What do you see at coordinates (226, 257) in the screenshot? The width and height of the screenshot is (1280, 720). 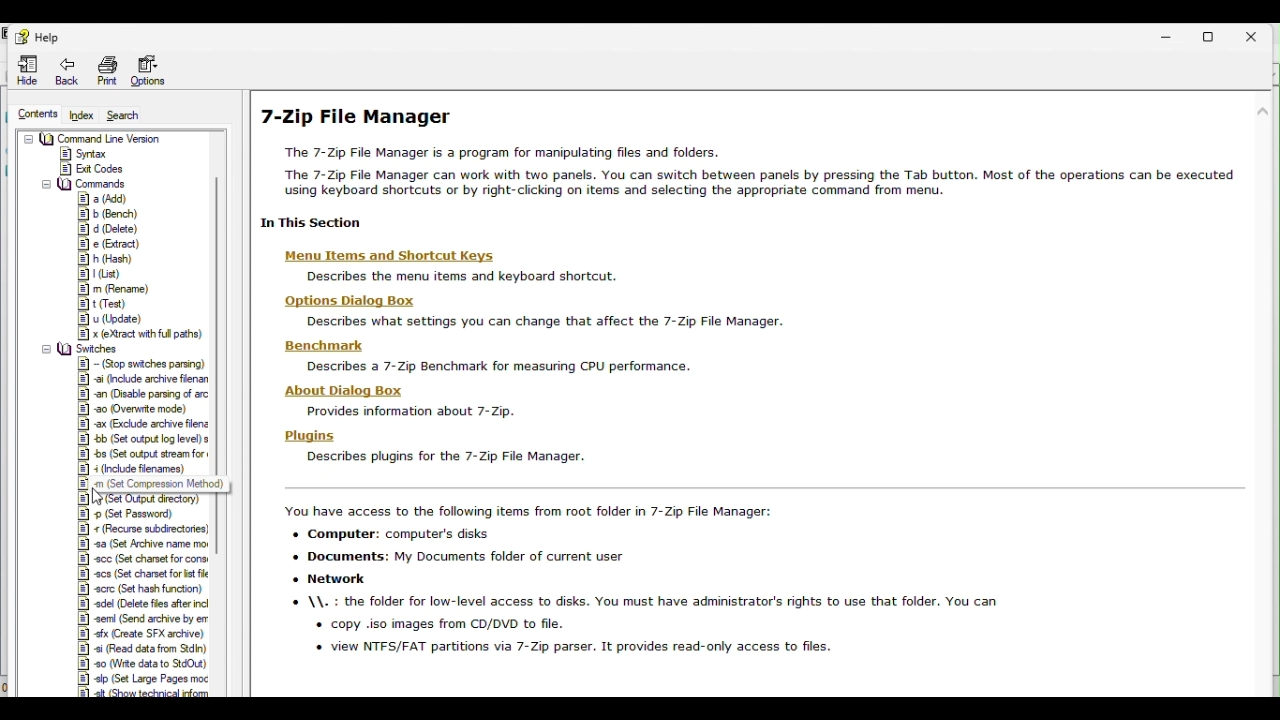 I see `scrollbar` at bounding box center [226, 257].